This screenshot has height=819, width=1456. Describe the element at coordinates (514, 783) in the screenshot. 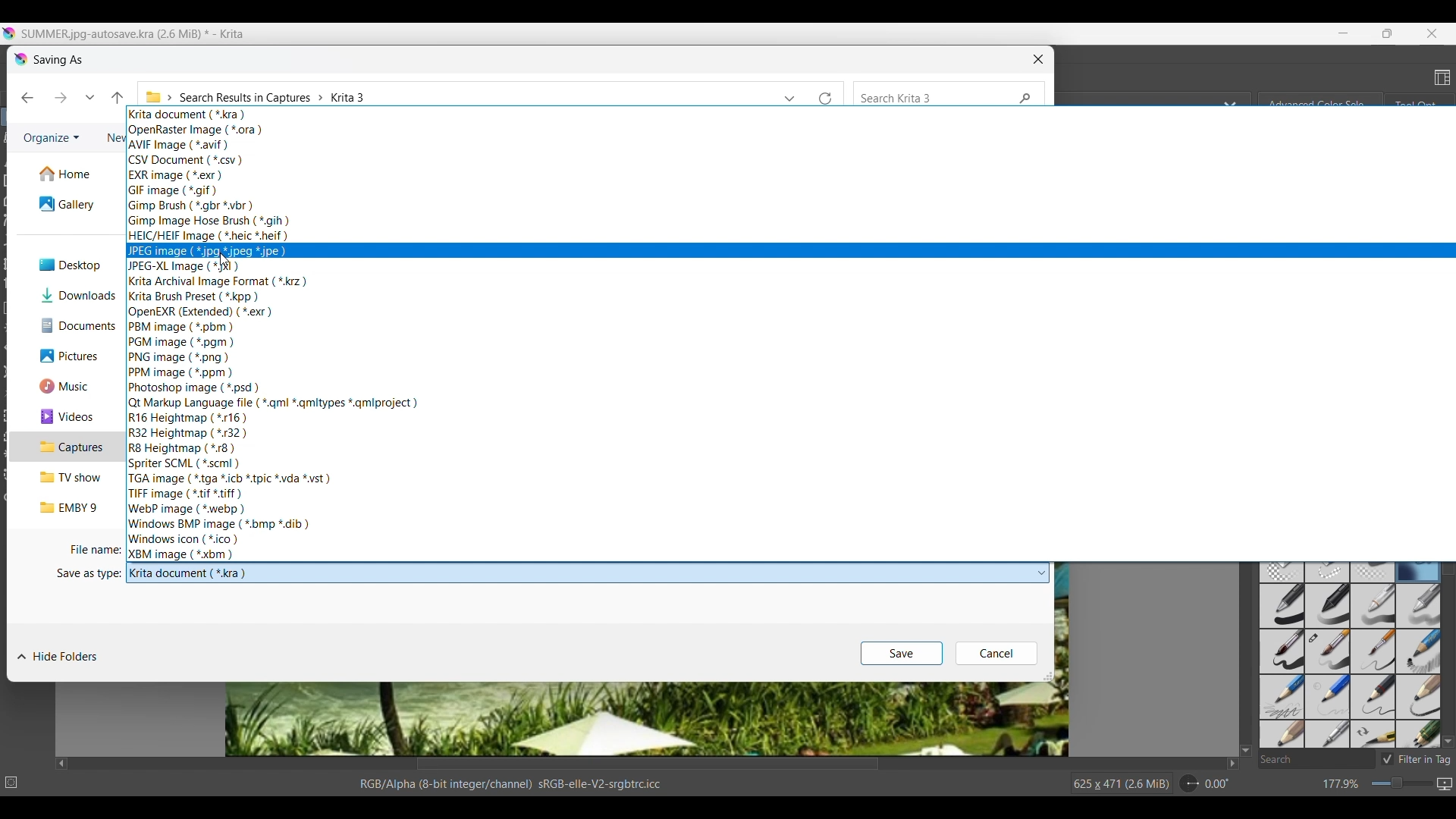

I see `RGB/Alpha (8-bit integer/channel) sRGB-elle-V2-srgbtrcicc` at that location.